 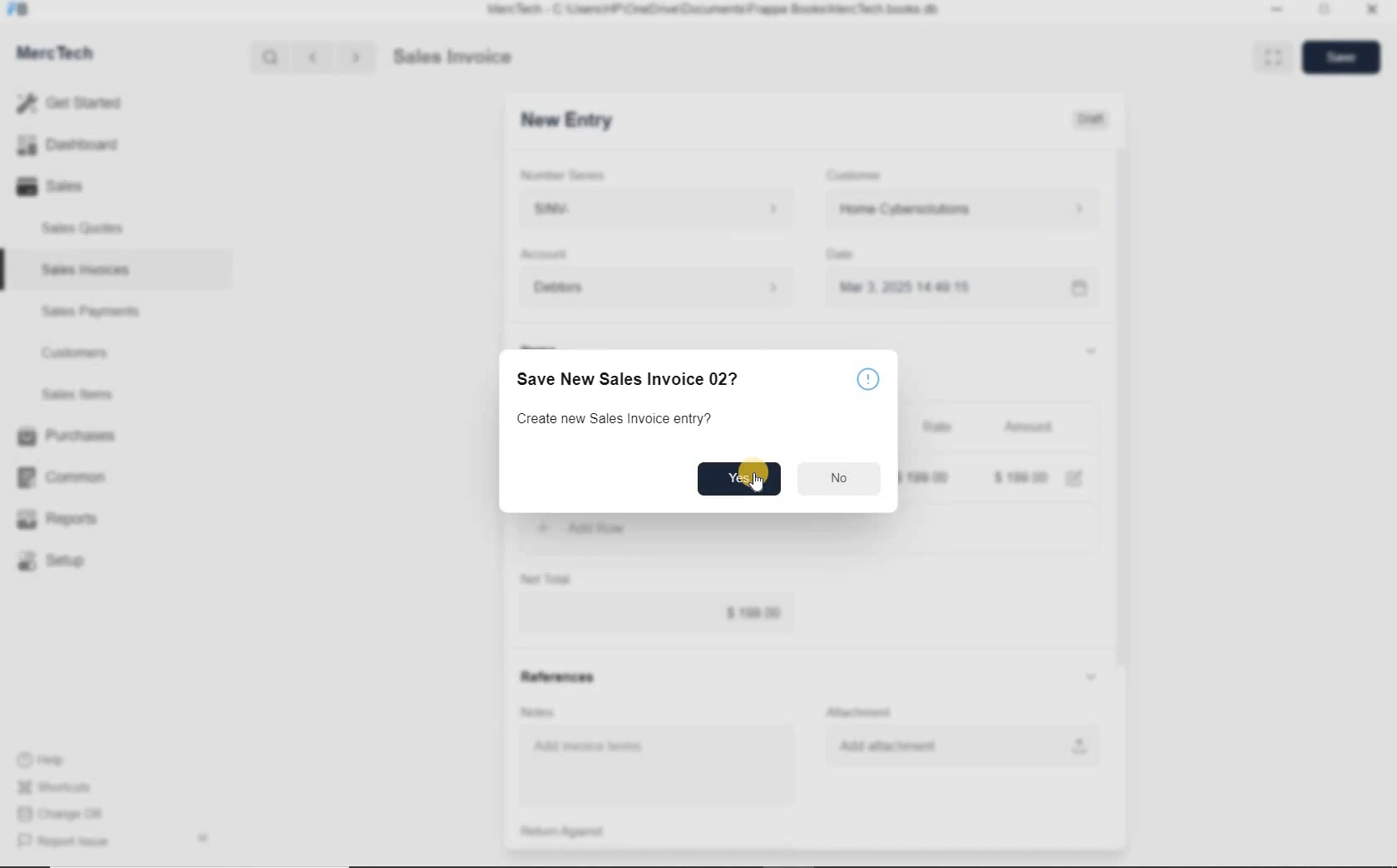 I want to click on MercTech, so click(x=63, y=57).